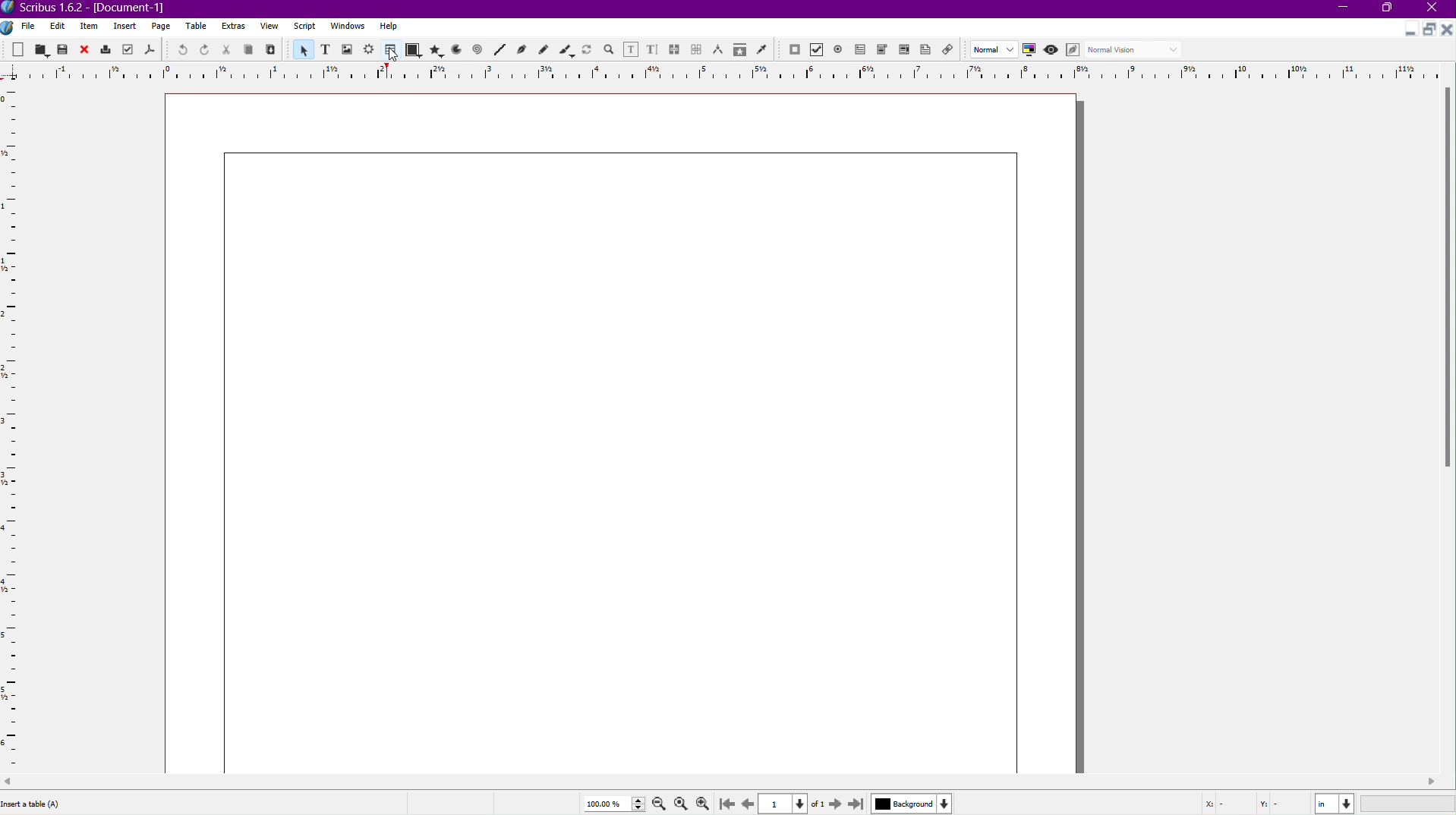 The height and width of the screenshot is (815, 1456). I want to click on Minimize, so click(1407, 31).